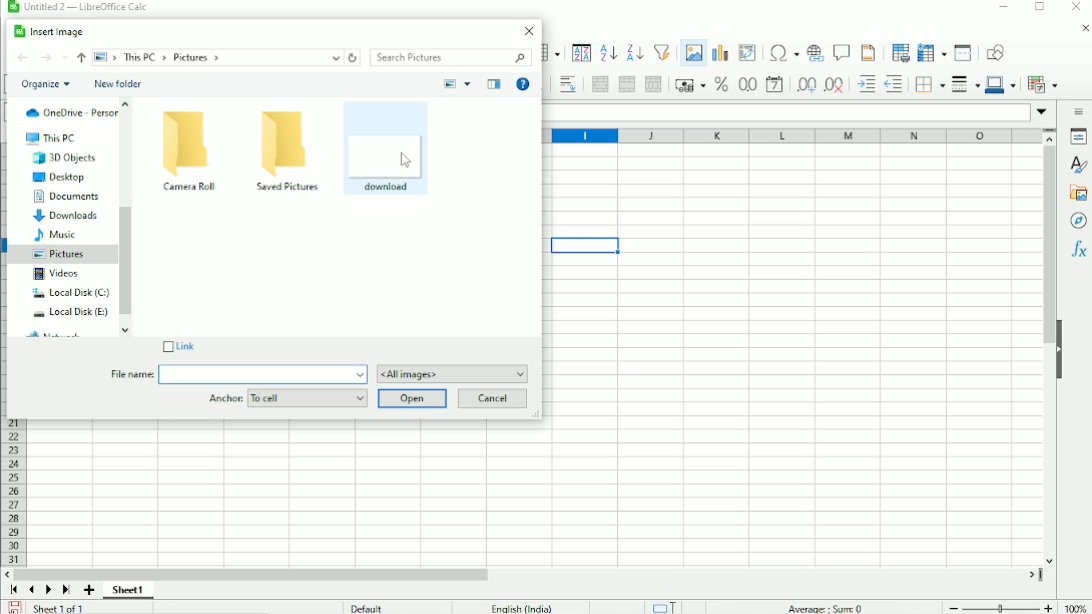  I want to click on Functions, so click(1079, 248).